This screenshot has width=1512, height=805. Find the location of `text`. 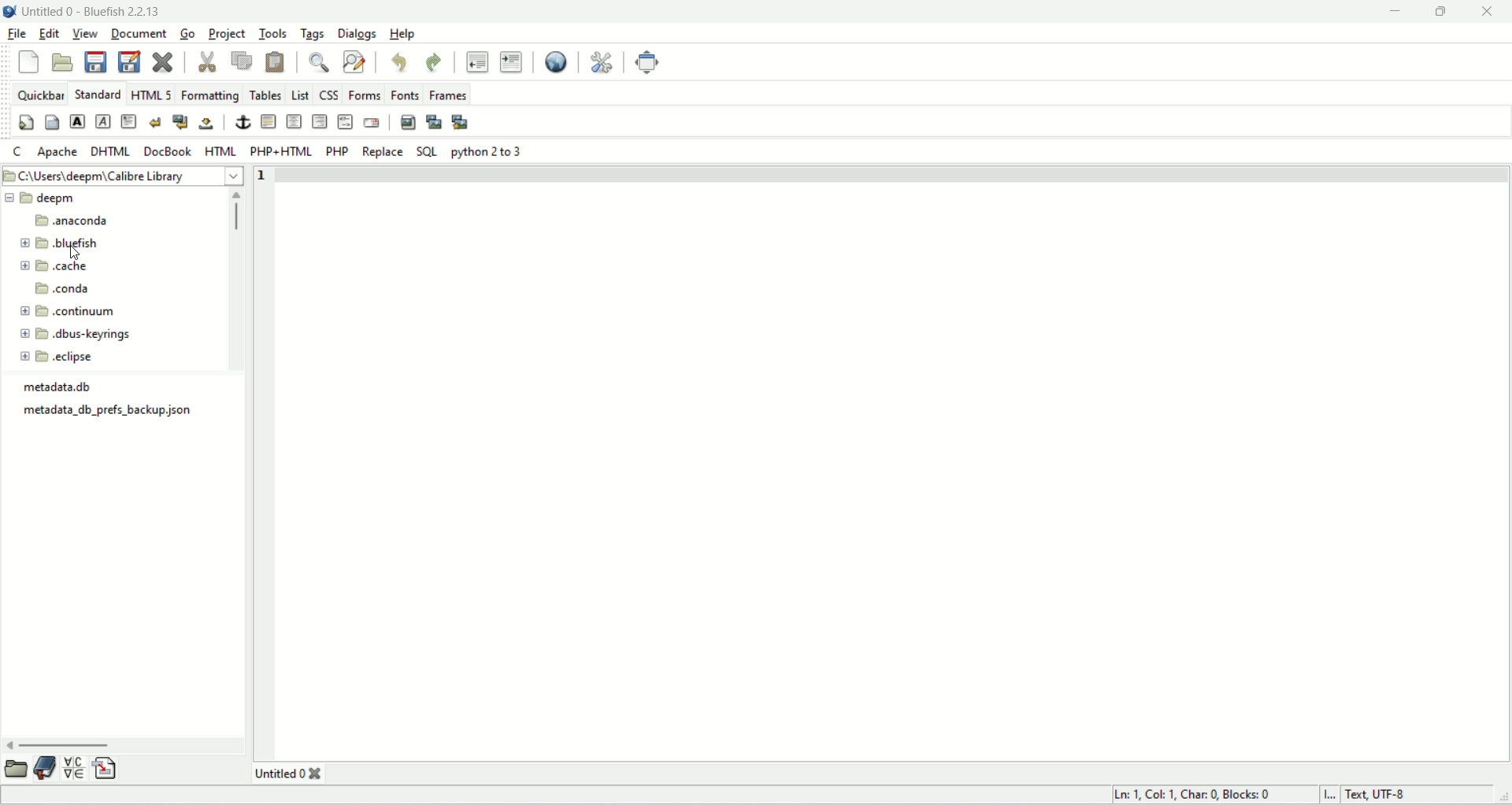

text is located at coordinates (110, 411).